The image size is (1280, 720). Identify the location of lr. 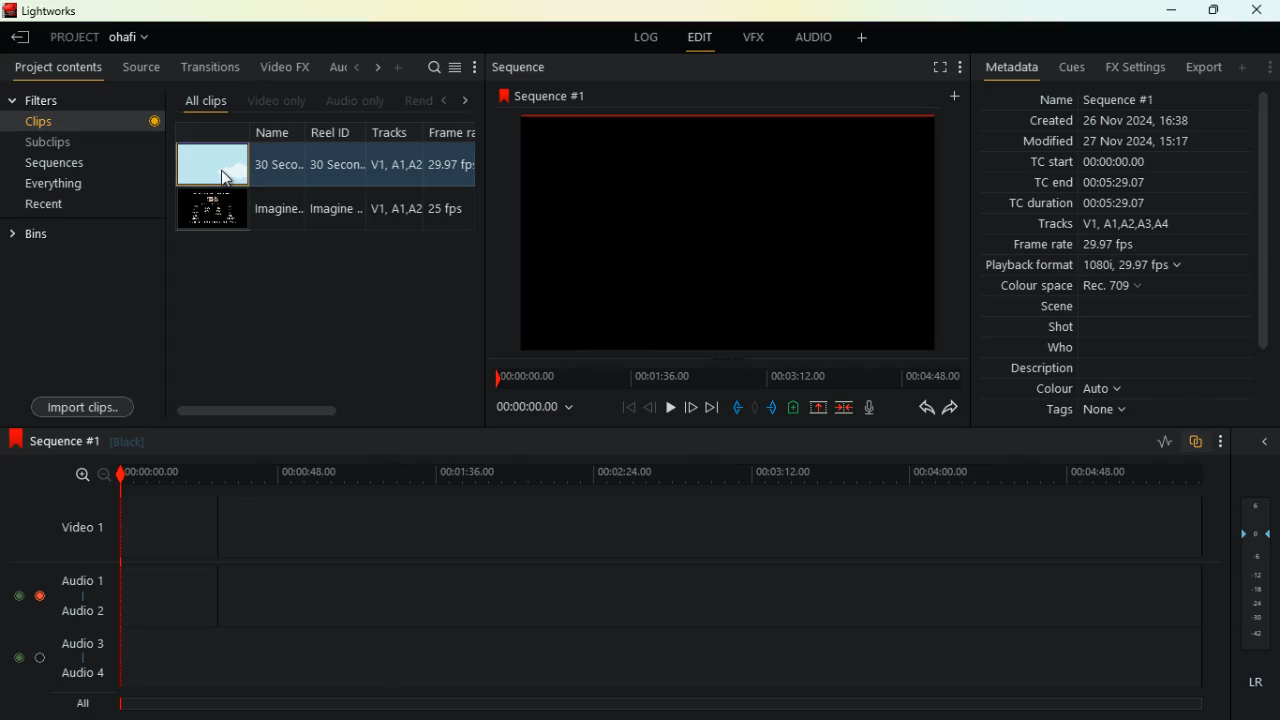
(1251, 683).